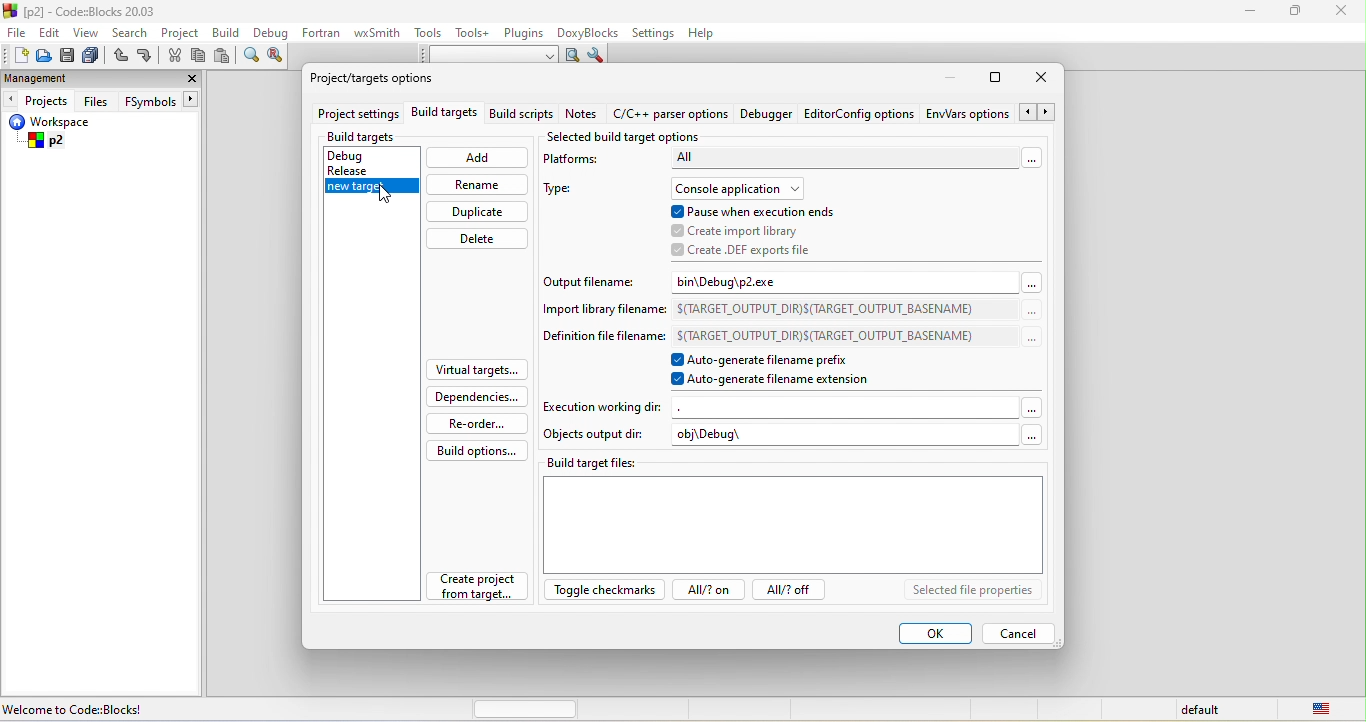 The image size is (1366, 722). Describe the element at coordinates (1296, 15) in the screenshot. I see `maximize` at that location.